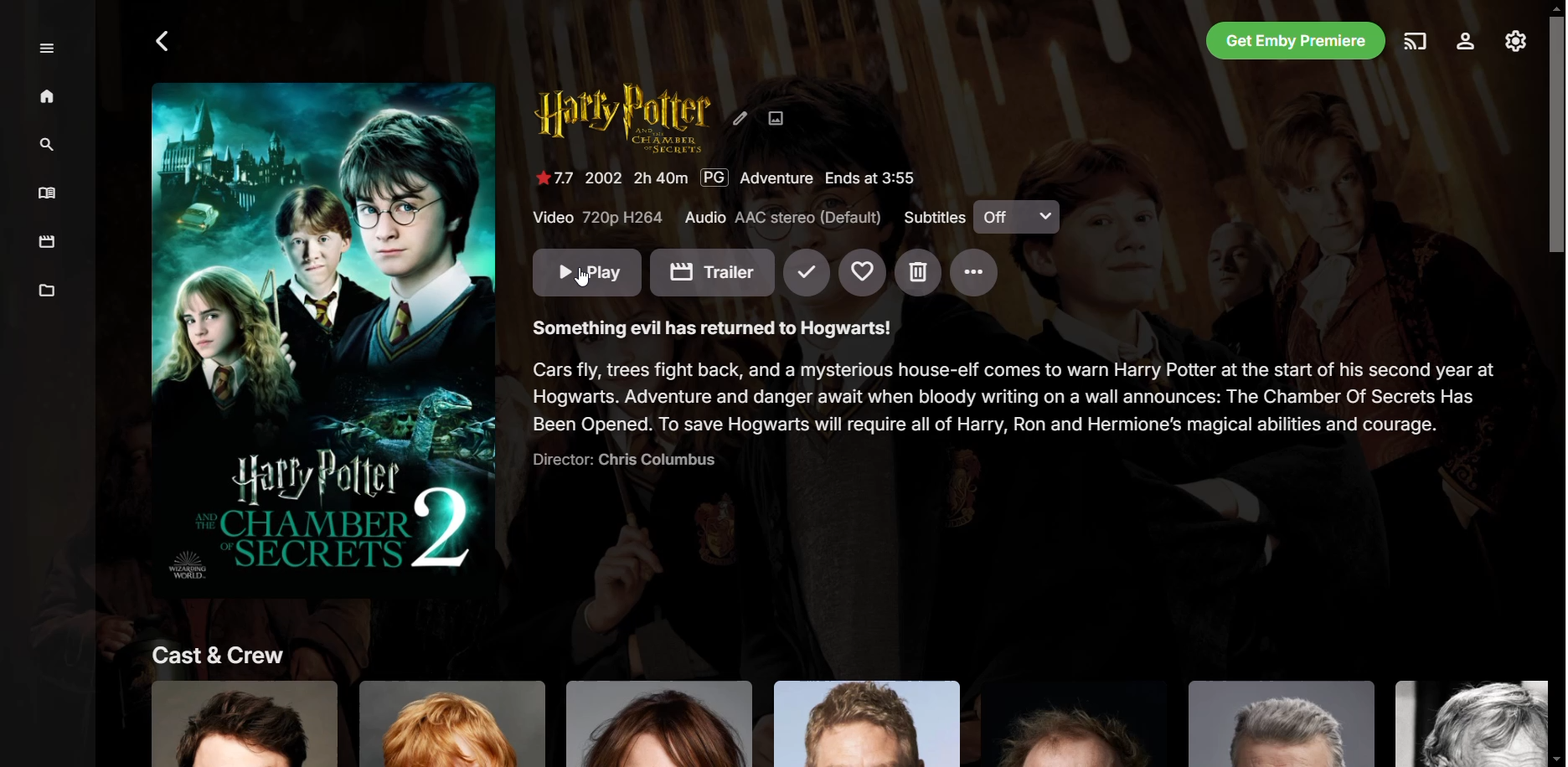 The height and width of the screenshot is (767, 1568). Describe the element at coordinates (49, 49) in the screenshot. I see `Expand` at that location.